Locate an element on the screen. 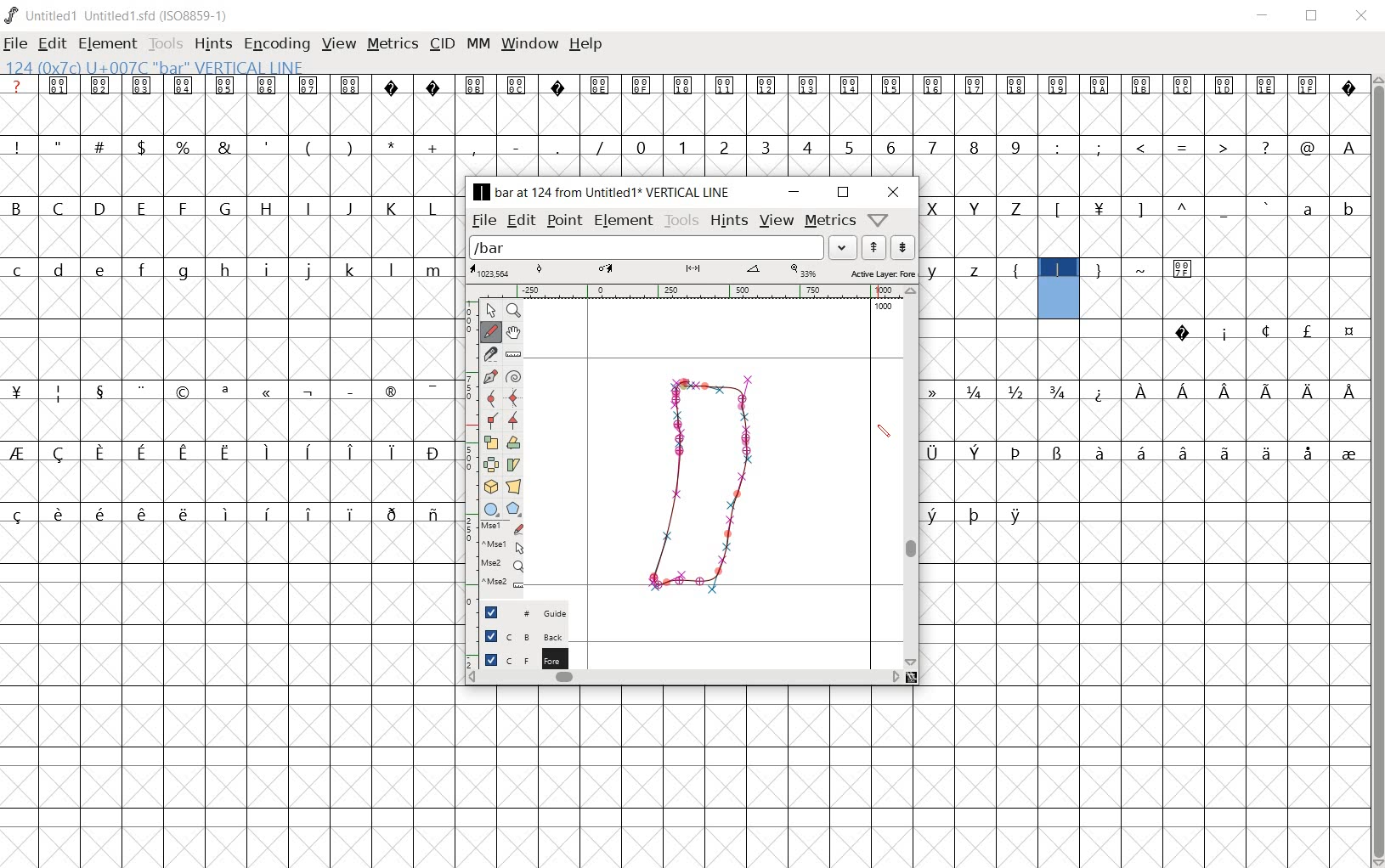 Image resolution: width=1385 pixels, height=868 pixels. empty cells is located at coordinates (230, 696).